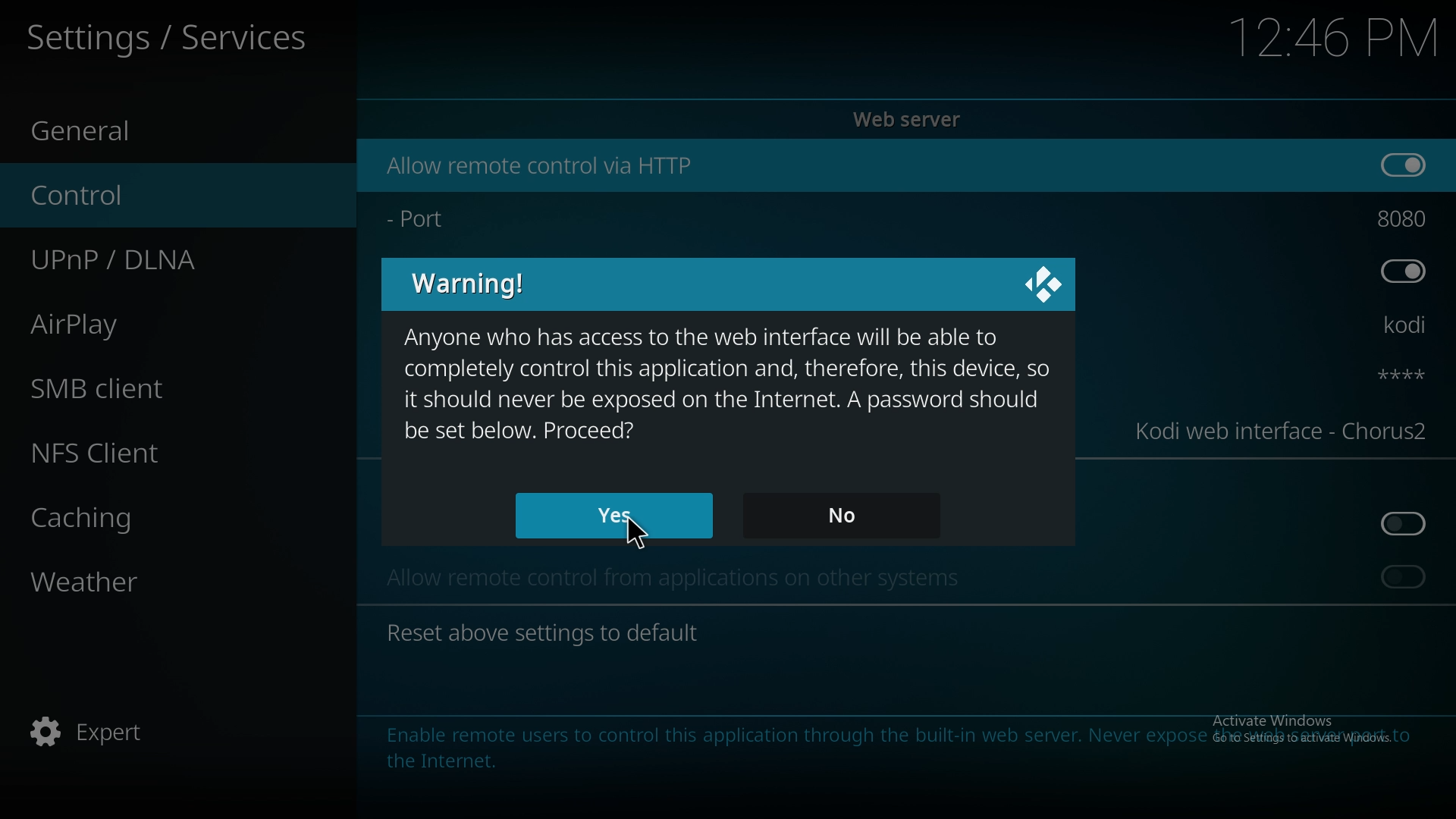 The height and width of the screenshot is (819, 1456). Describe the element at coordinates (542, 166) in the screenshot. I see `allow remote control via http` at that location.